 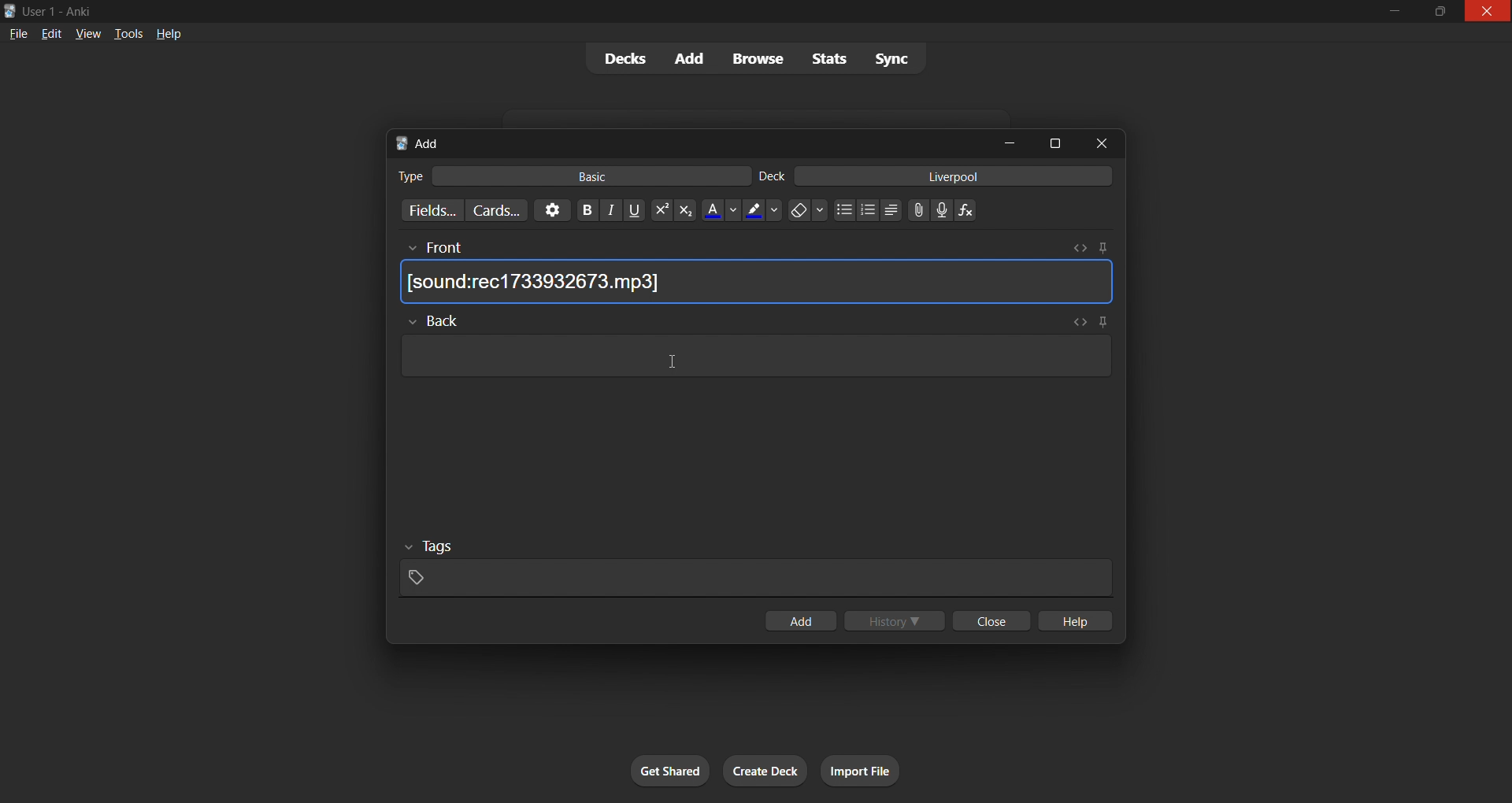 What do you see at coordinates (992, 621) in the screenshot?
I see `close` at bounding box center [992, 621].